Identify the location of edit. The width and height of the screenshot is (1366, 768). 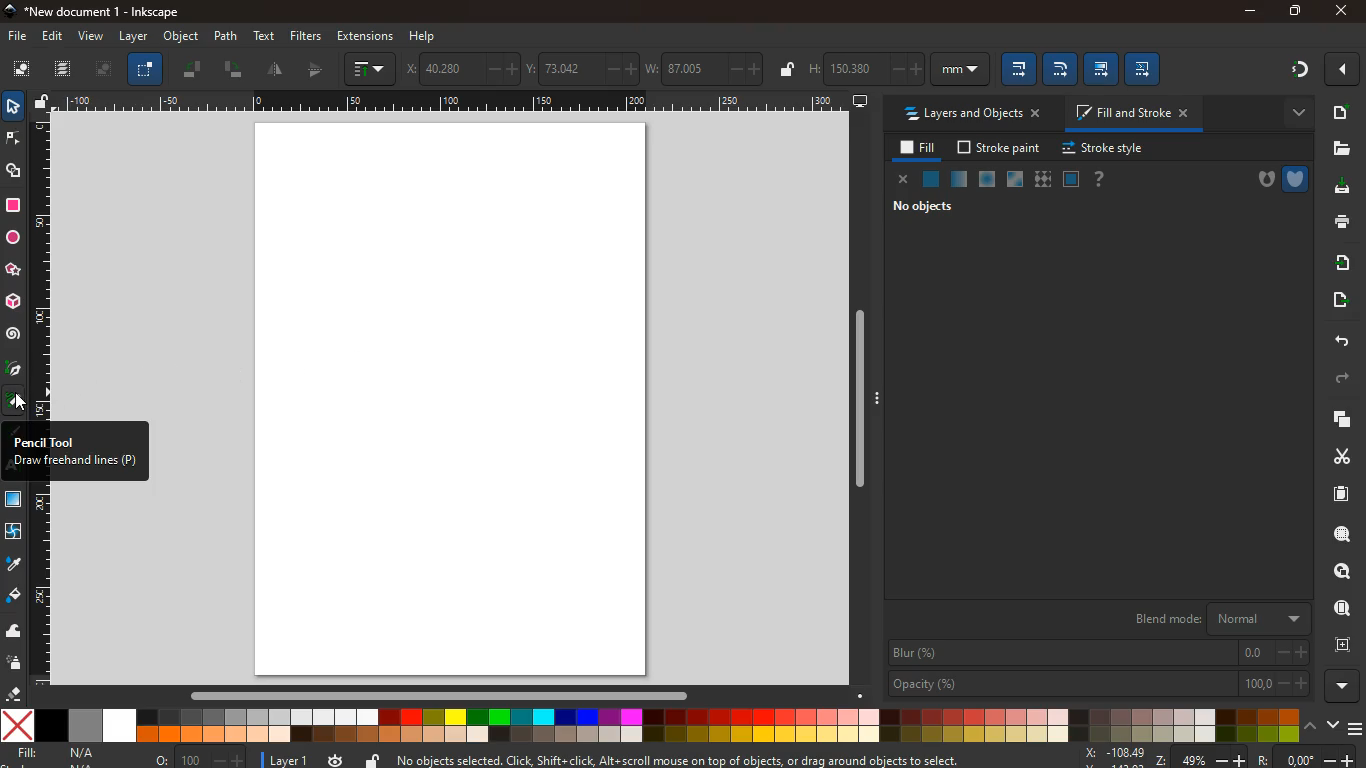
(1141, 69).